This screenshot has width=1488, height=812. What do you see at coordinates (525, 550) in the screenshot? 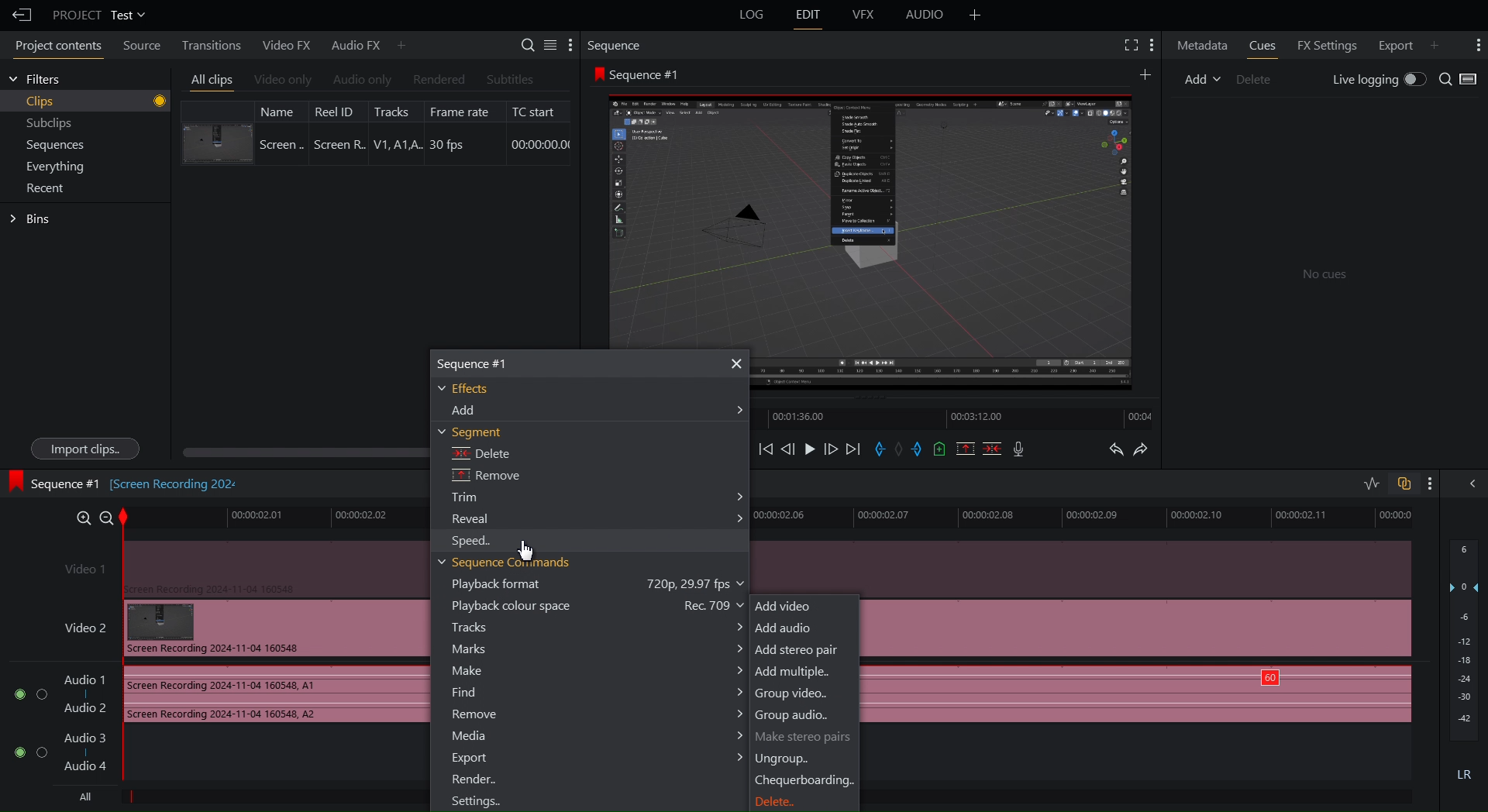
I see `Cursor` at bounding box center [525, 550].